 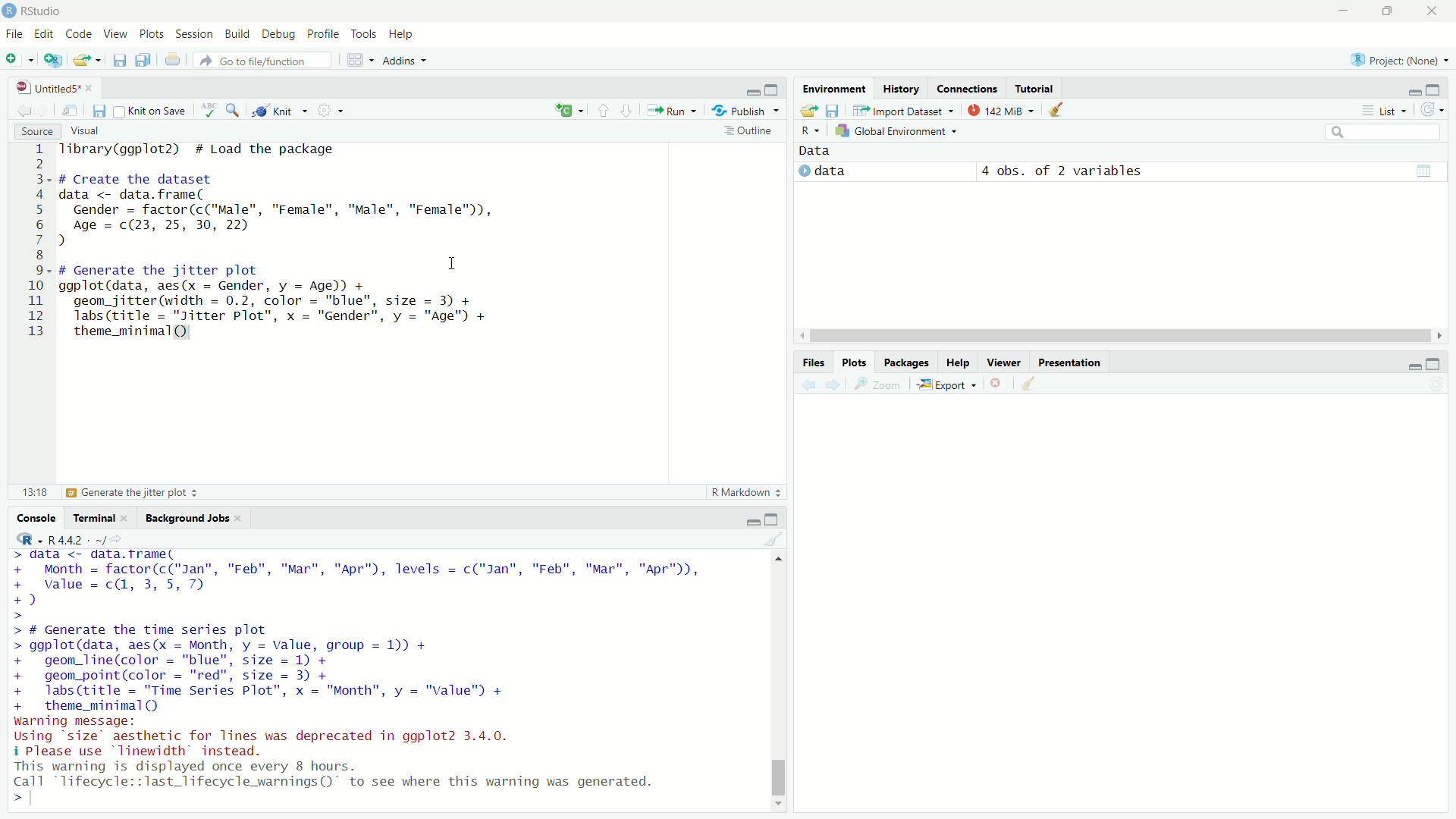 I want to click on environment, so click(x=835, y=88).